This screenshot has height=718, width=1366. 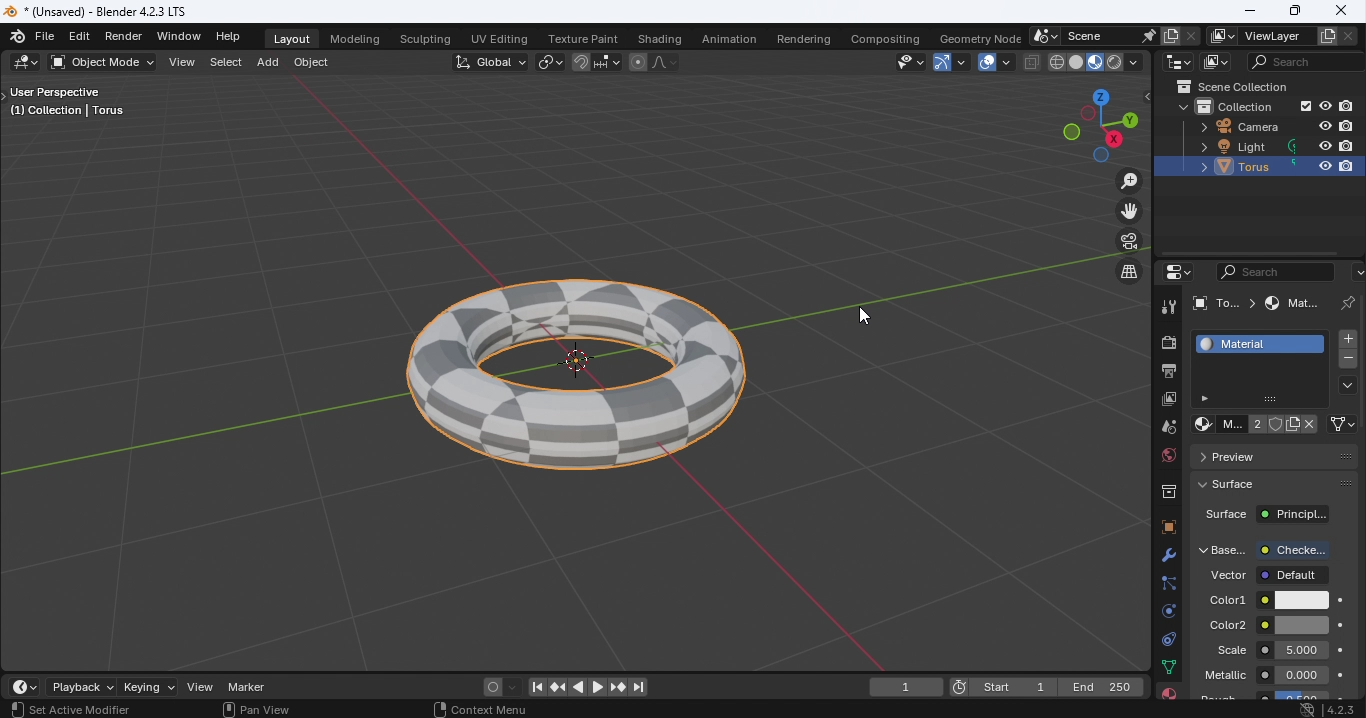 What do you see at coordinates (356, 39) in the screenshot?
I see `Modeling` at bounding box center [356, 39].